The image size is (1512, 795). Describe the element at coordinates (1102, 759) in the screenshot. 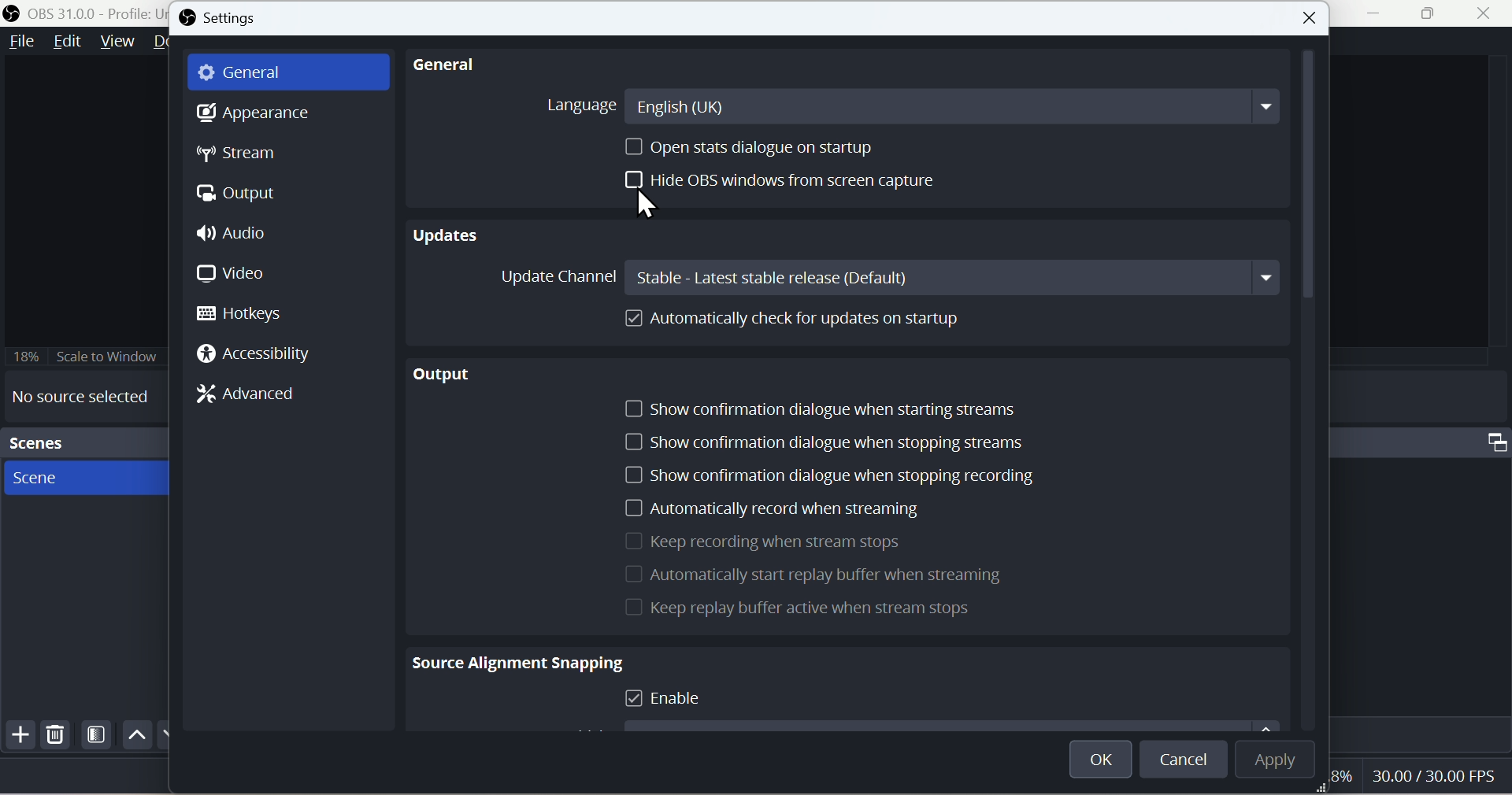

I see `OK` at that location.